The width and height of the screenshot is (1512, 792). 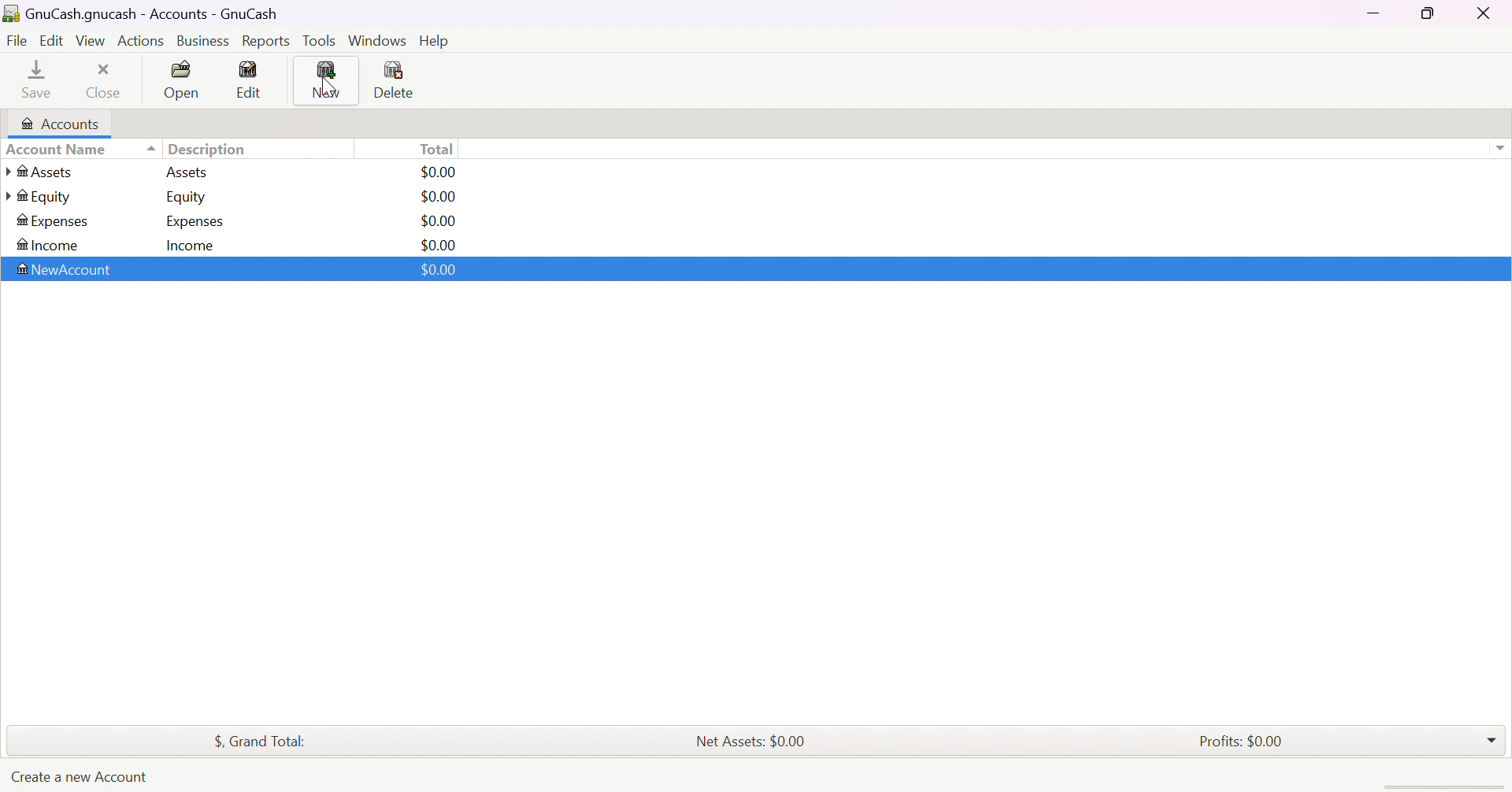 I want to click on Assets, so click(x=191, y=173).